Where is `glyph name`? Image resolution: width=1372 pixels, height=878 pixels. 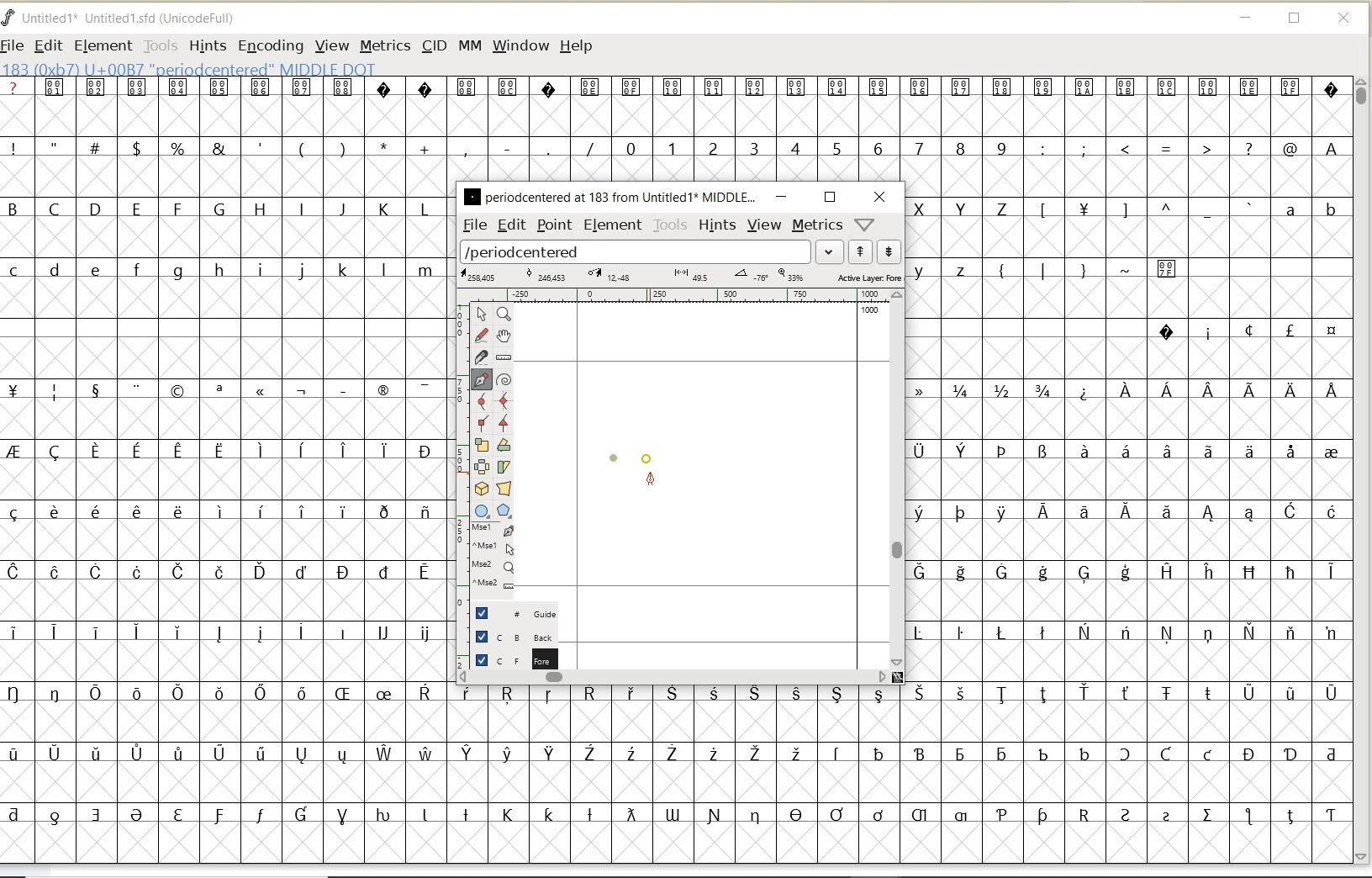
glyph name is located at coordinates (609, 196).